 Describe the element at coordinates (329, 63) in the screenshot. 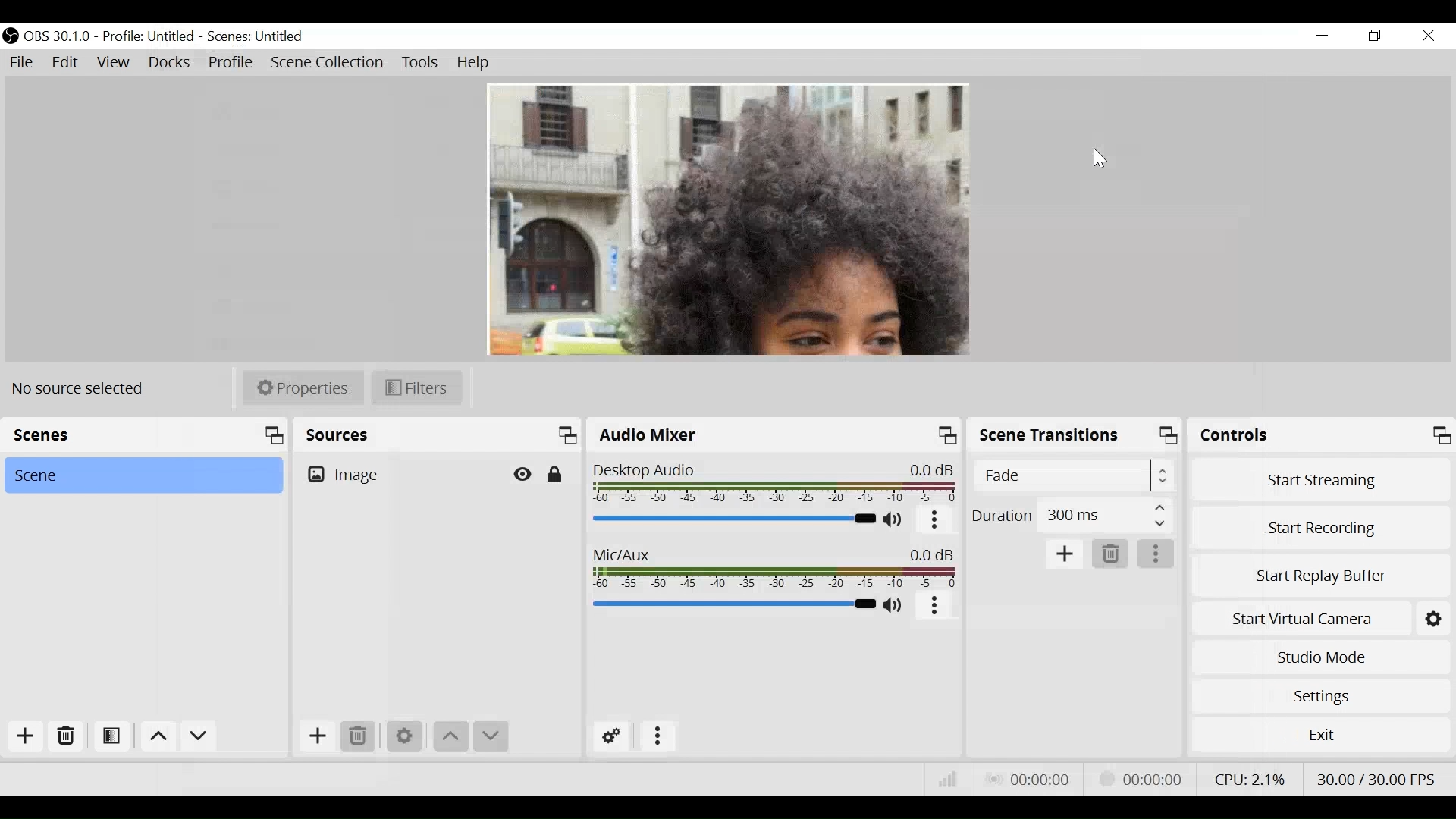

I see `Scene Collection` at that location.